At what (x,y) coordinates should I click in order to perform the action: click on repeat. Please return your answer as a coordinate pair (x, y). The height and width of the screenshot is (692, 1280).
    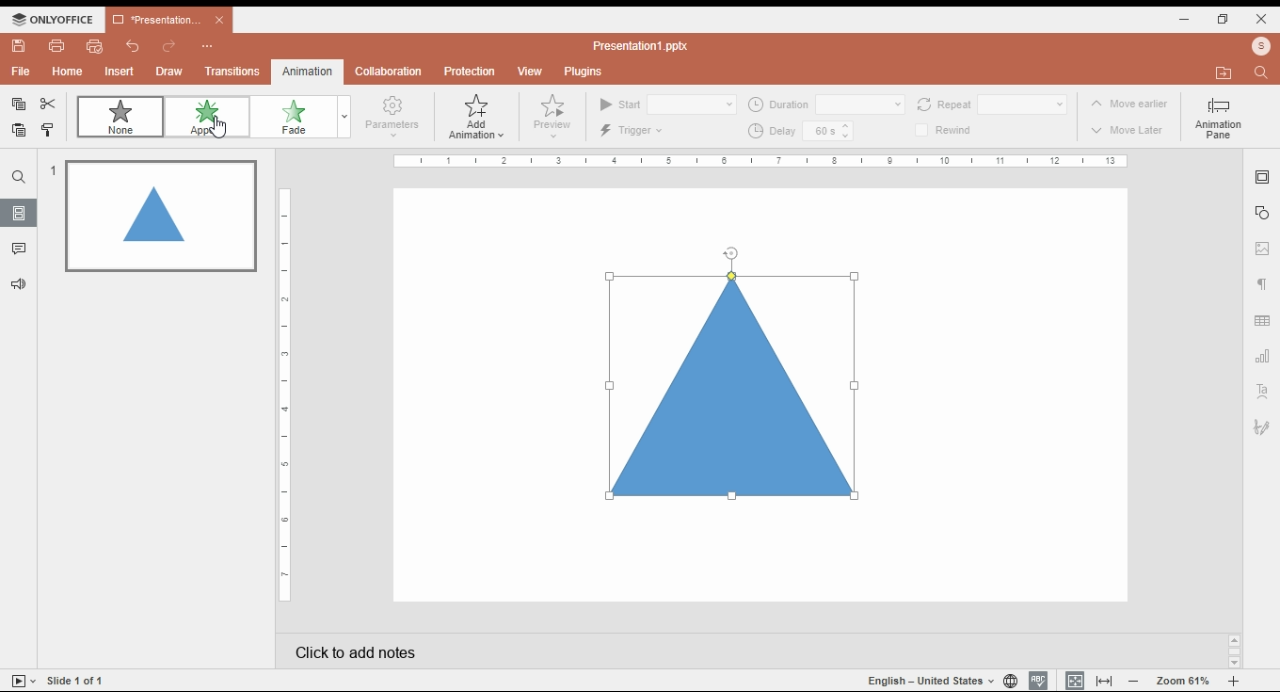
    Looking at the image, I should click on (944, 103).